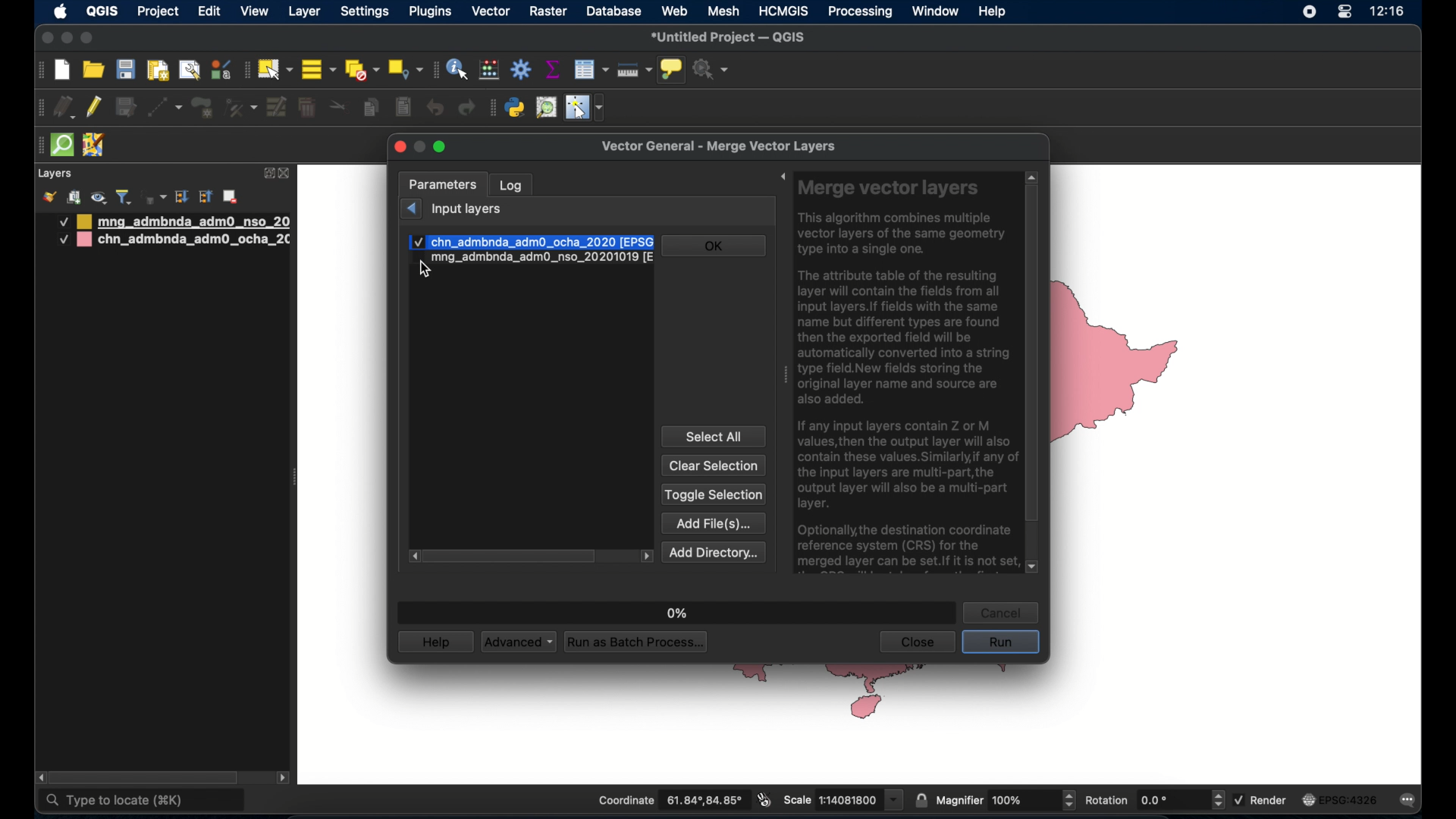  What do you see at coordinates (489, 69) in the screenshot?
I see `open field calculator` at bounding box center [489, 69].